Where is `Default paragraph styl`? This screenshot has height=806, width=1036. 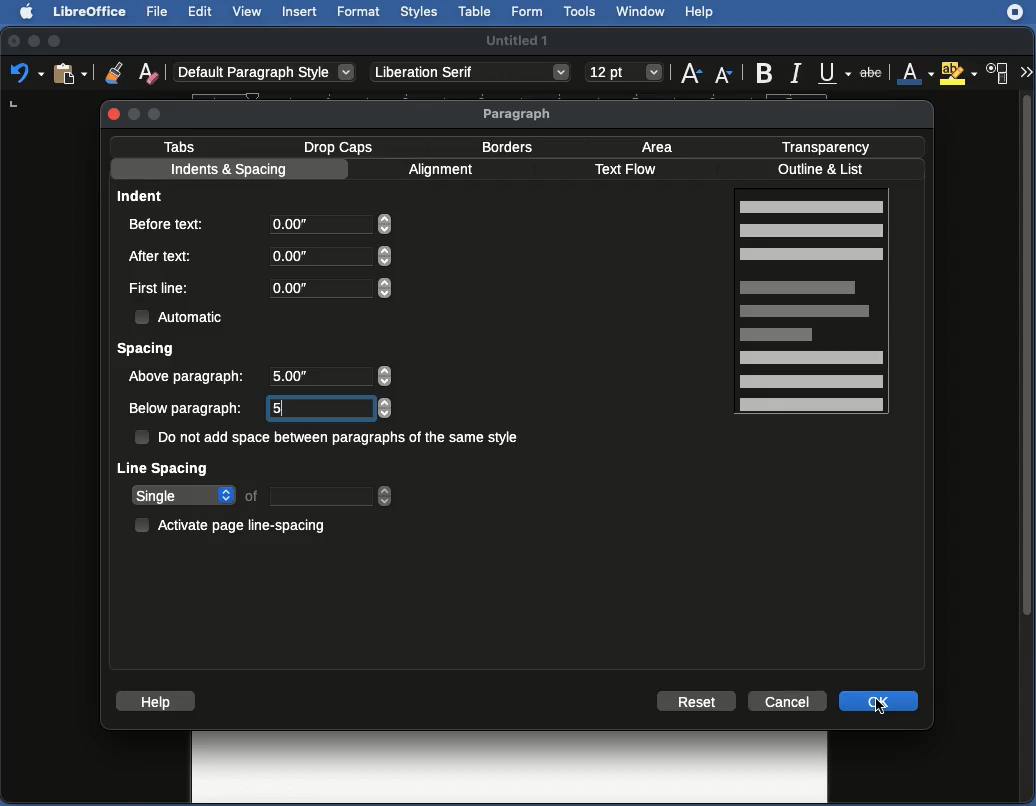
Default paragraph styl is located at coordinates (265, 73).